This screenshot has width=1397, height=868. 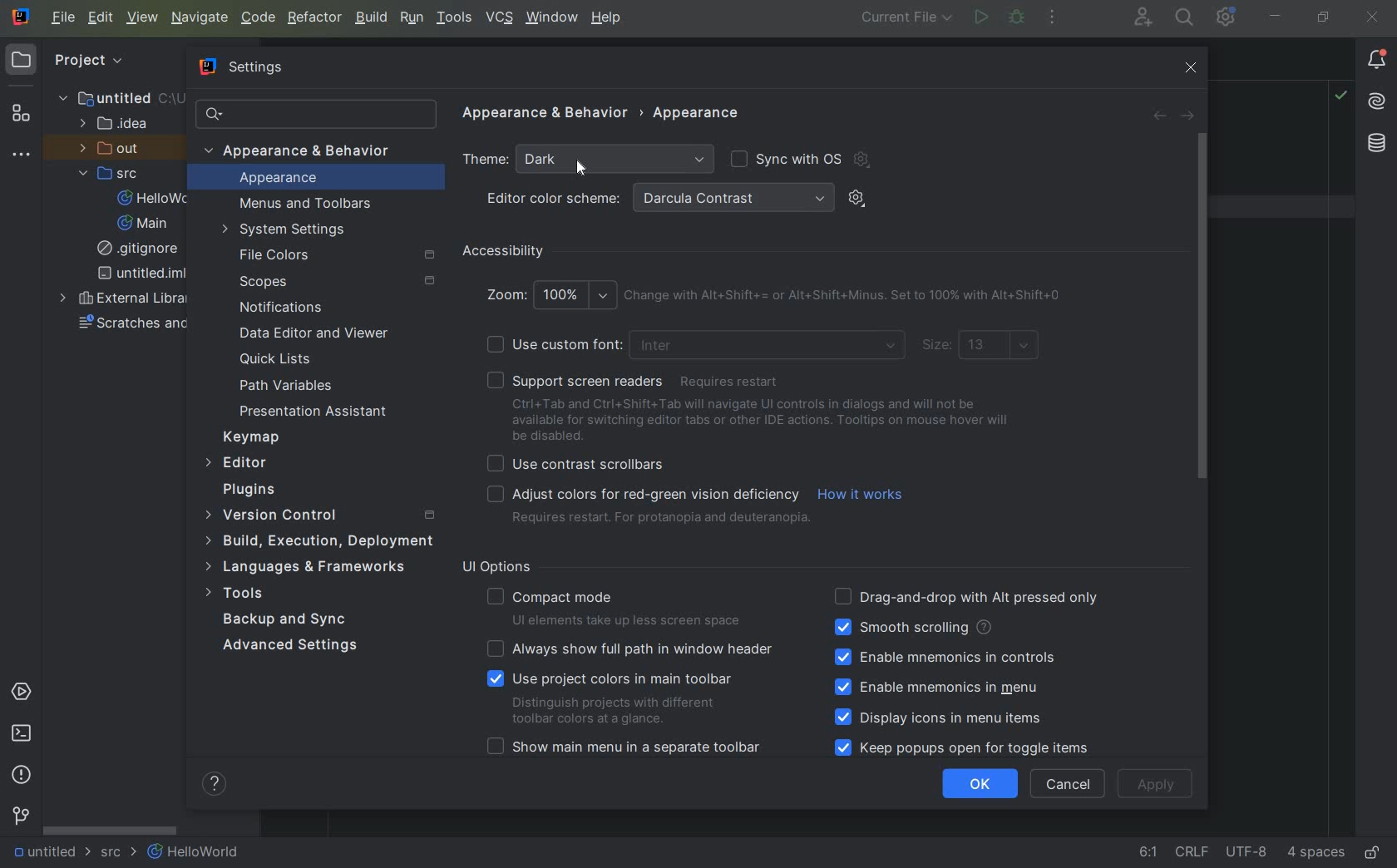 I want to click on help, so click(x=217, y=784).